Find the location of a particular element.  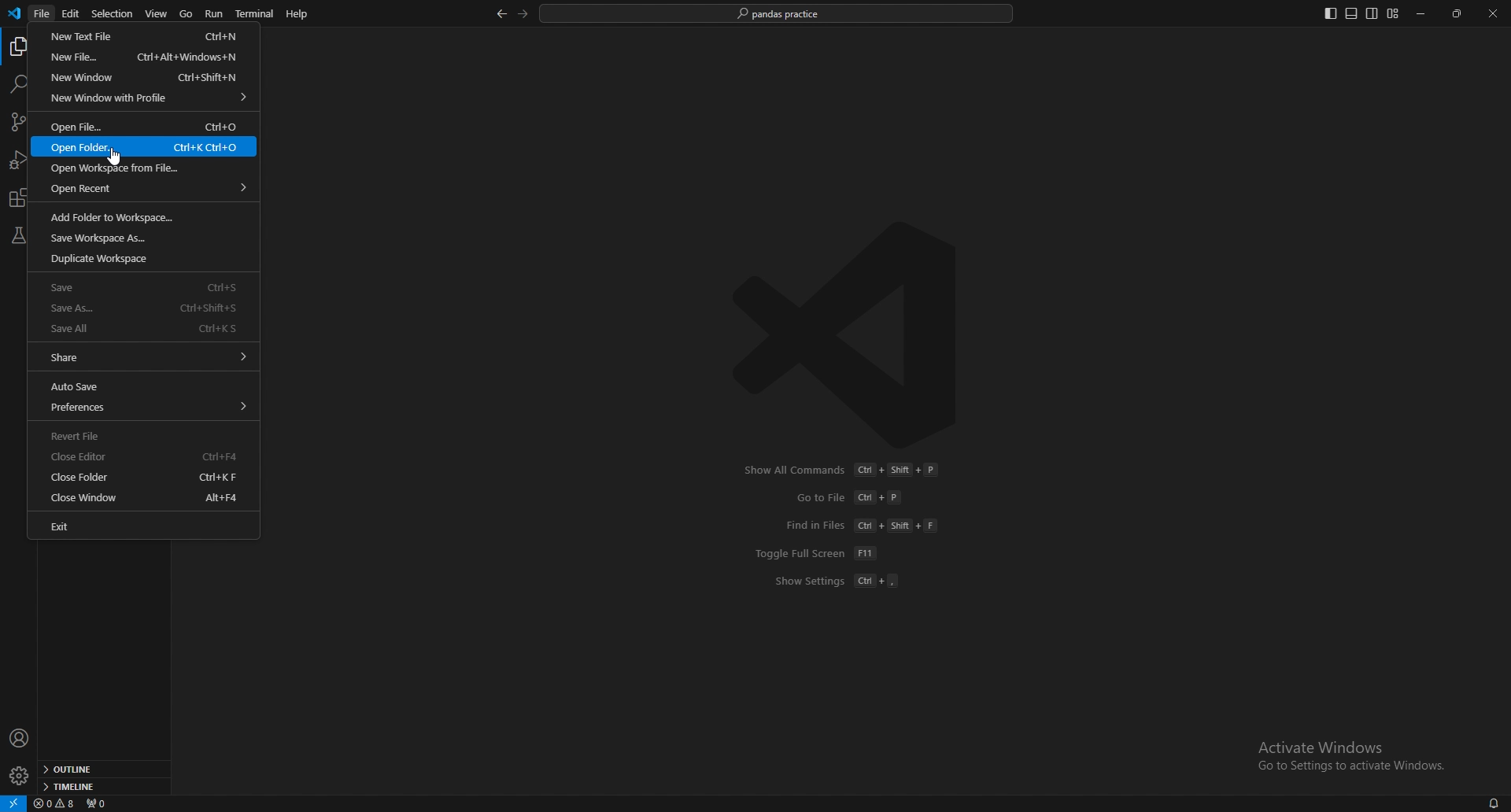

close editor is located at coordinates (144, 458).